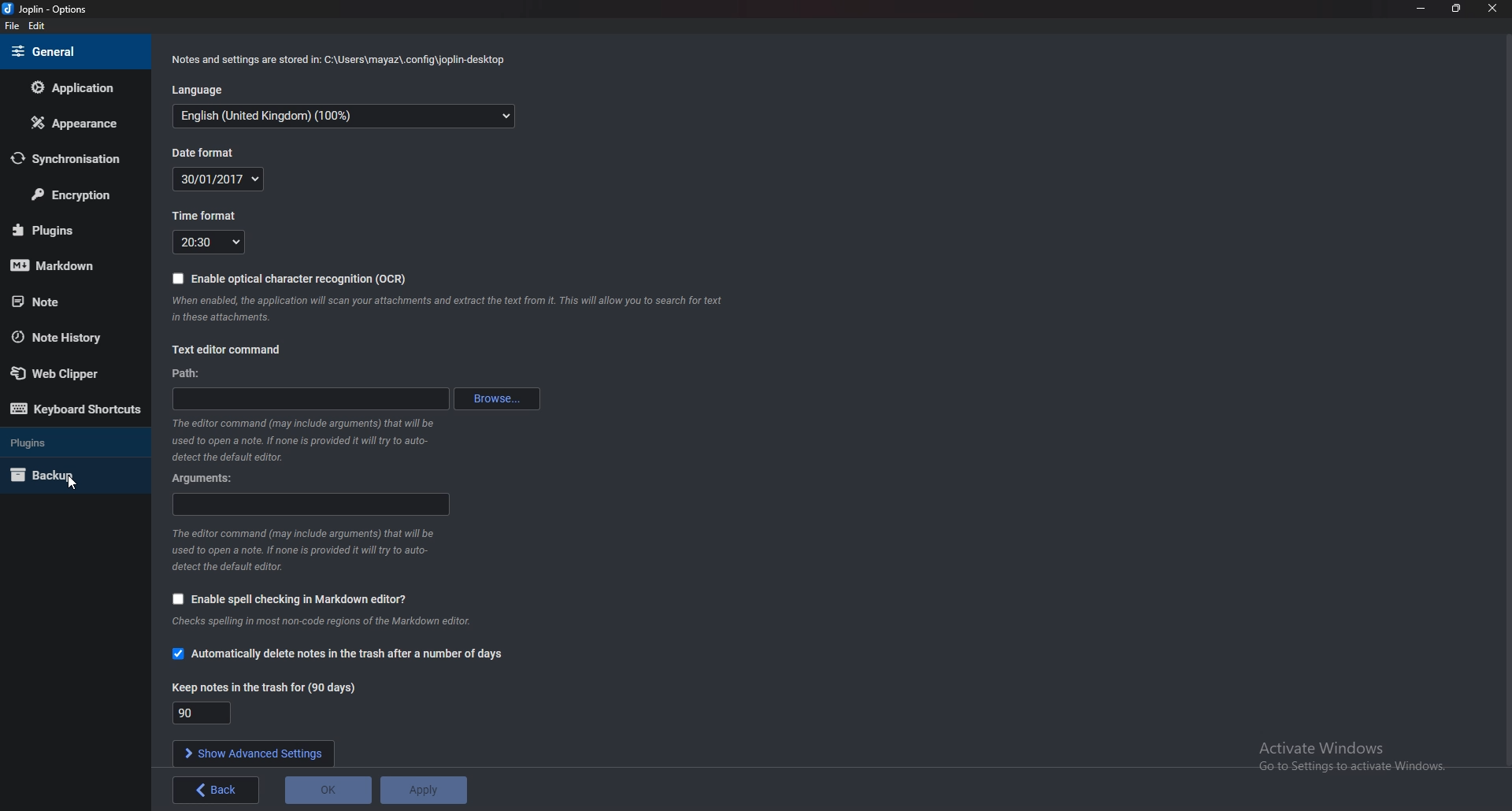 The height and width of the screenshot is (811, 1512). I want to click on Info on editor command, so click(306, 549).